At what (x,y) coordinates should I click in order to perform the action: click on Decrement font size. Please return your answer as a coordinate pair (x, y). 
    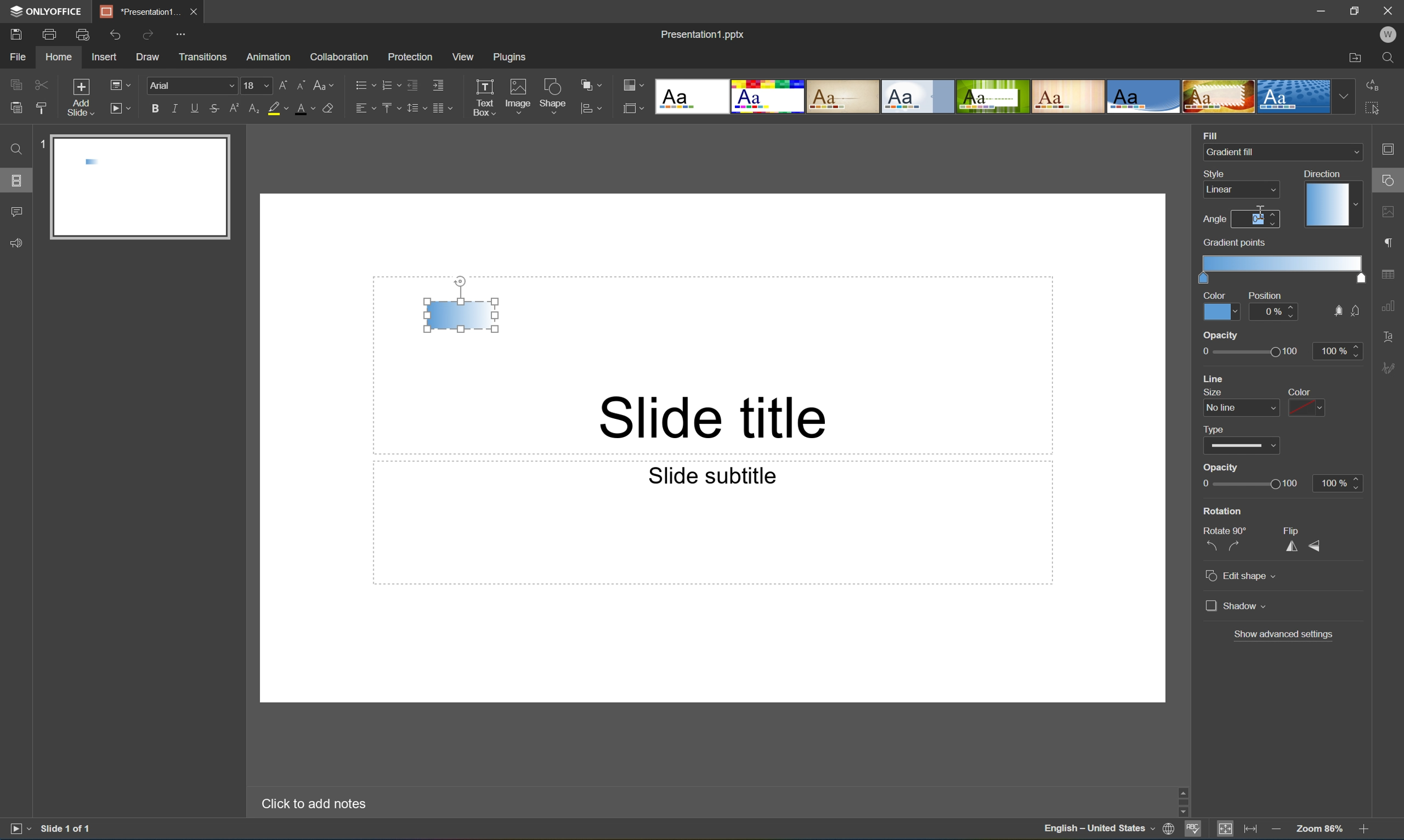
    Looking at the image, I should click on (300, 83).